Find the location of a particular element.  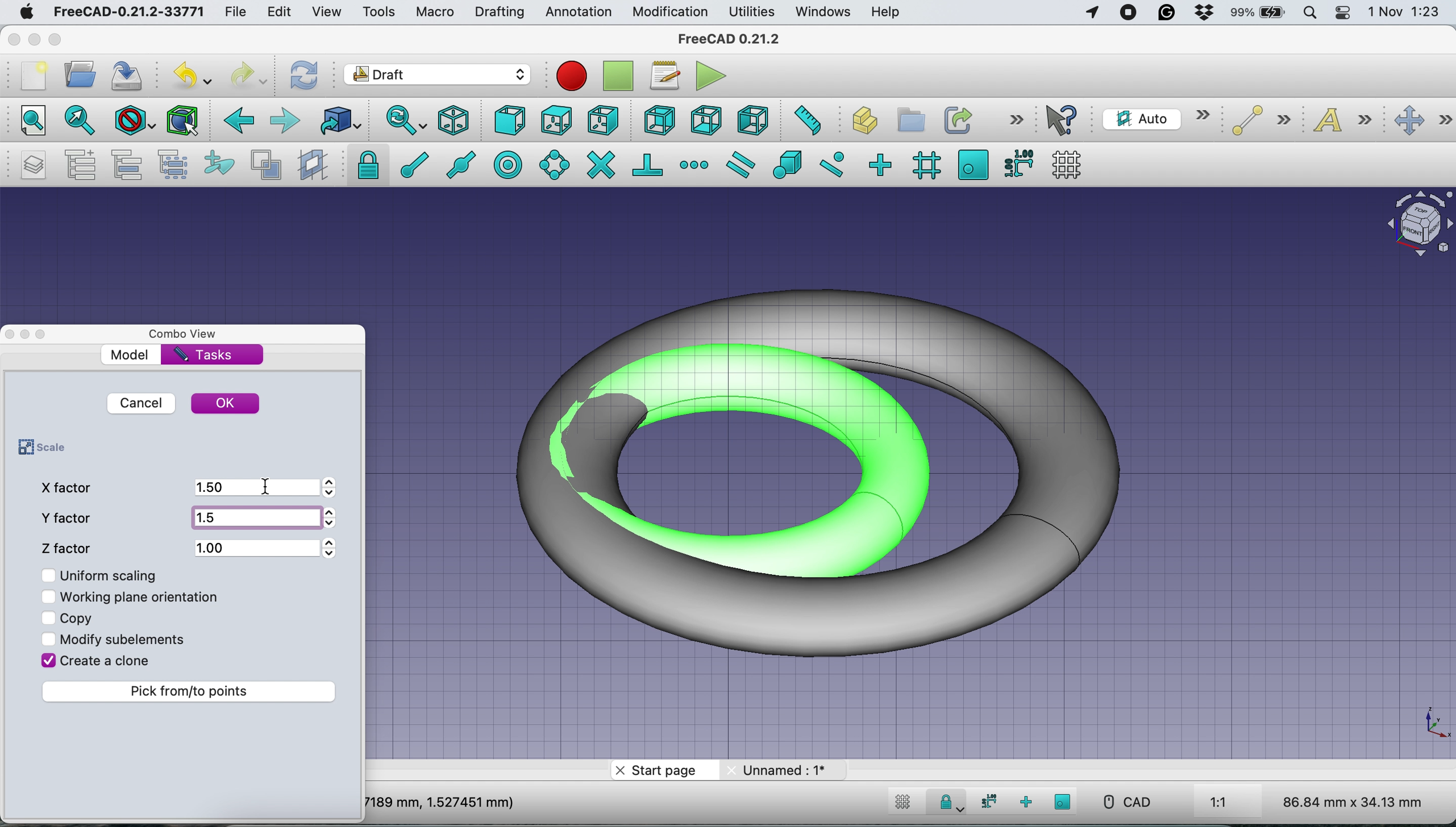

snap endpoint is located at coordinates (411, 164).